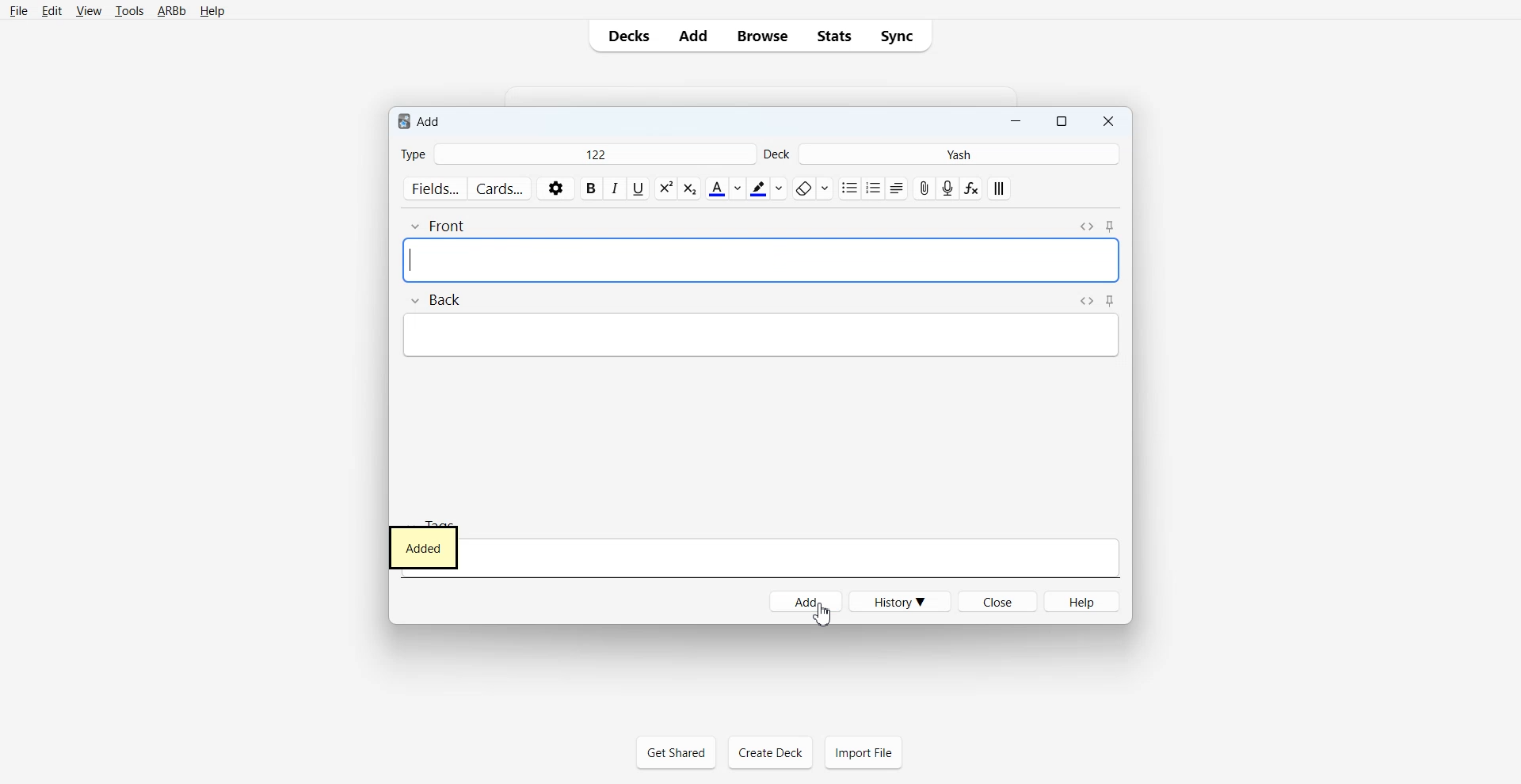  I want to click on underline, so click(638, 196).